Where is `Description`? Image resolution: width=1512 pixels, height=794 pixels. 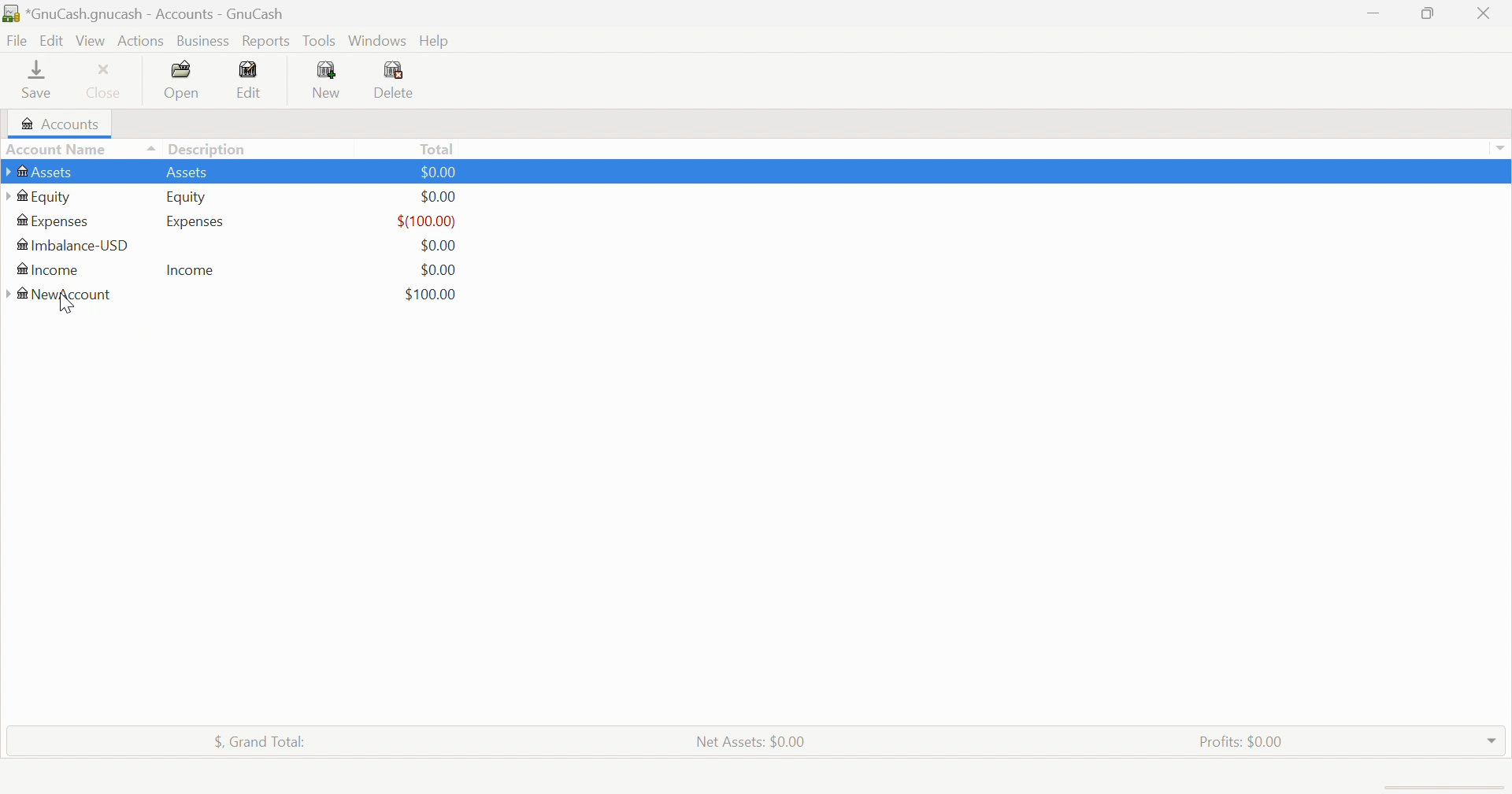 Description is located at coordinates (213, 149).